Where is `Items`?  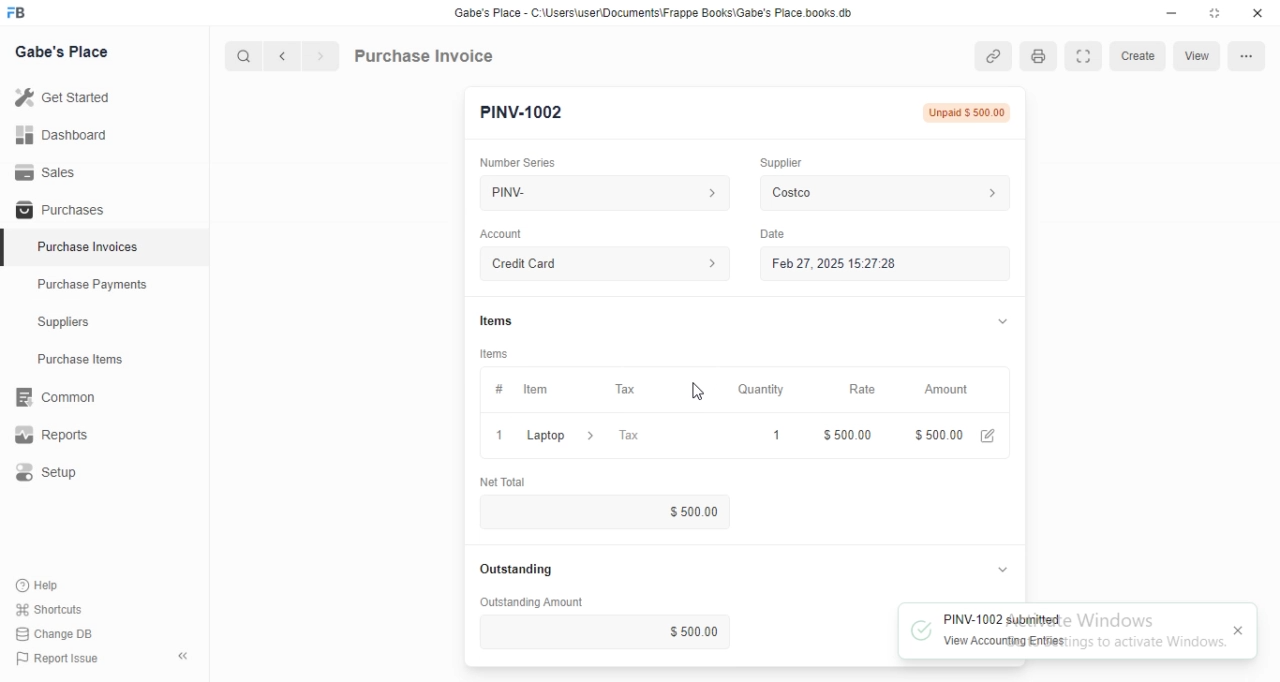
Items is located at coordinates (496, 321).